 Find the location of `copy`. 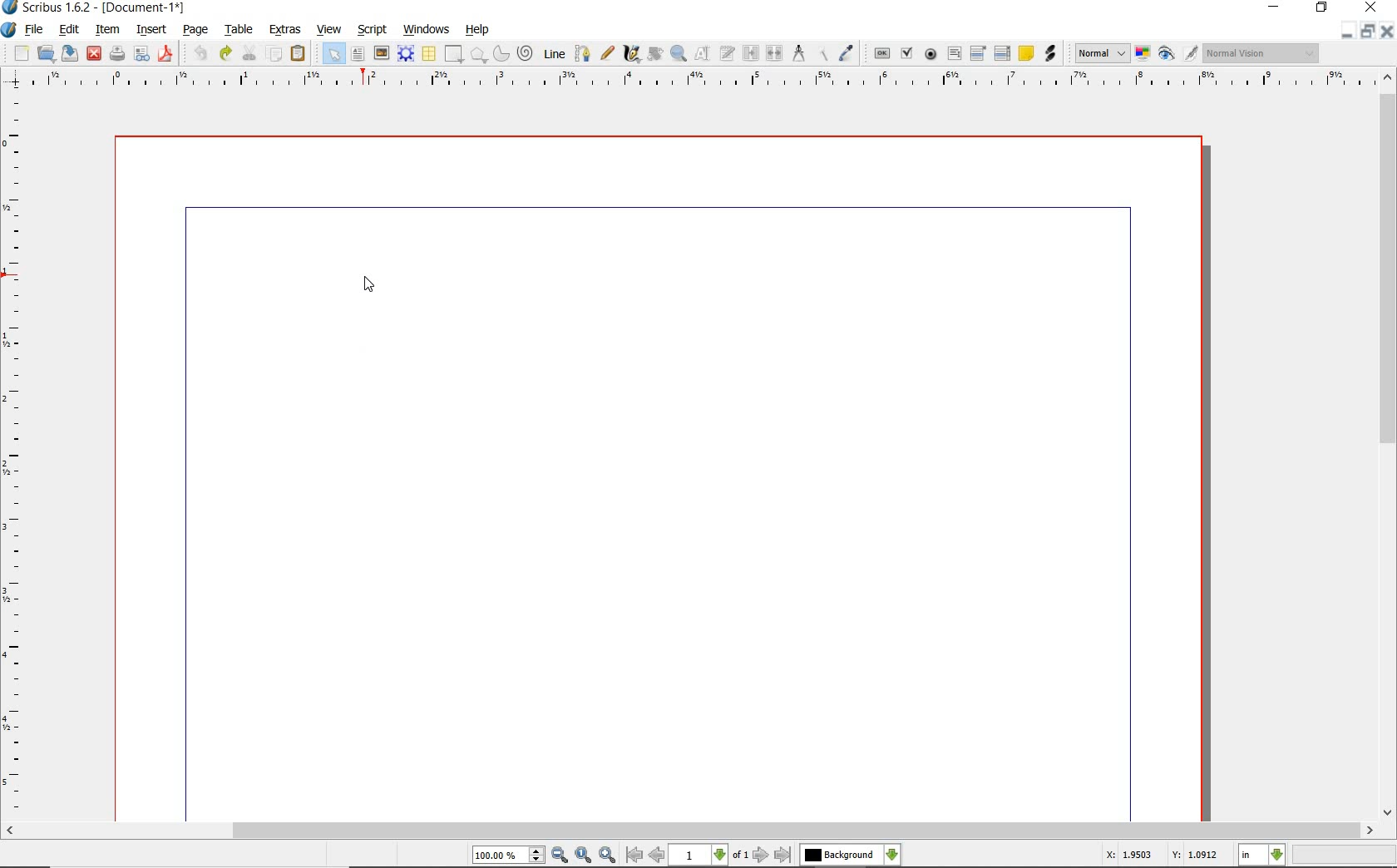

copy is located at coordinates (275, 55).